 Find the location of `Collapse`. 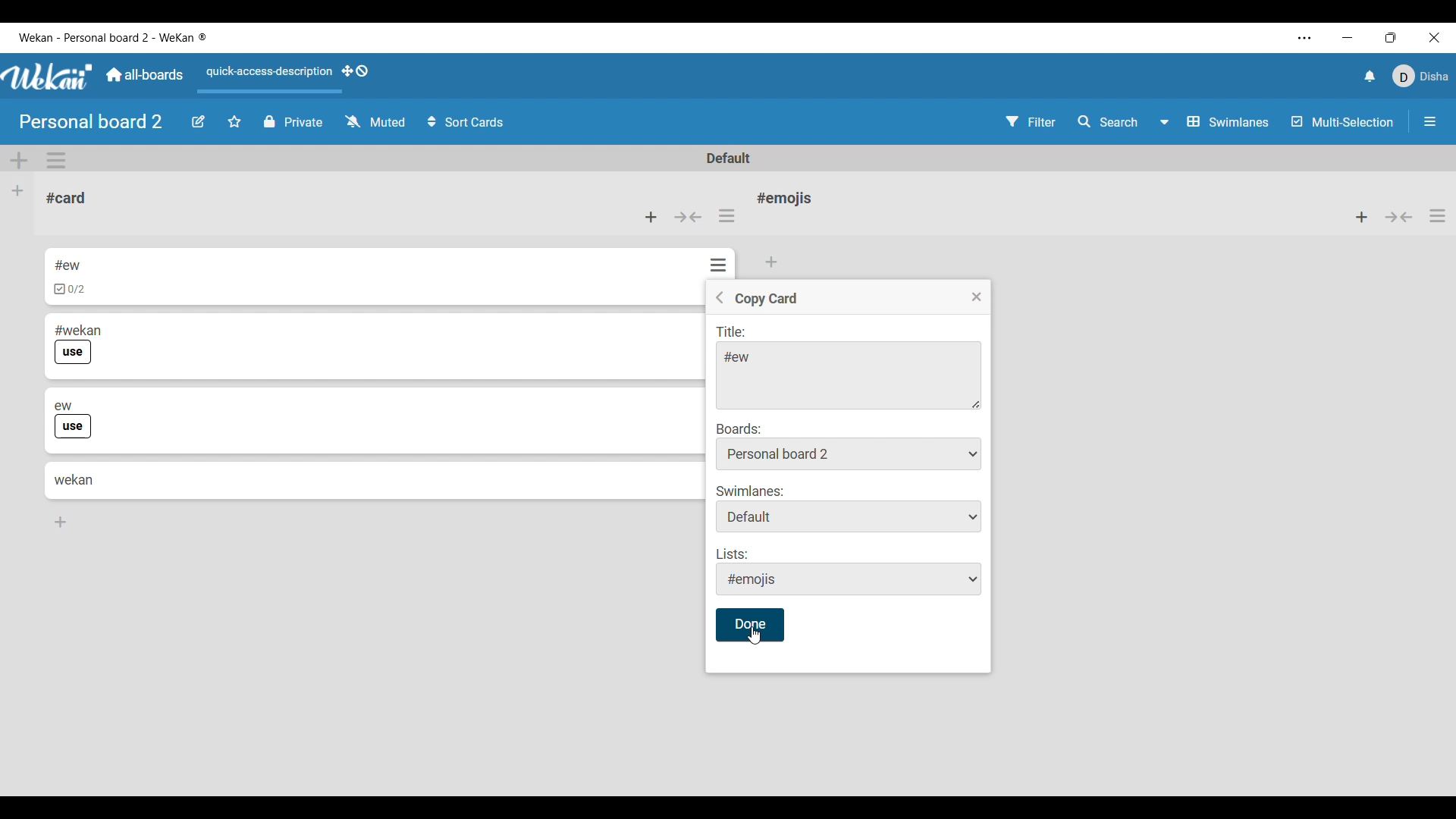

Collapse is located at coordinates (687, 218).